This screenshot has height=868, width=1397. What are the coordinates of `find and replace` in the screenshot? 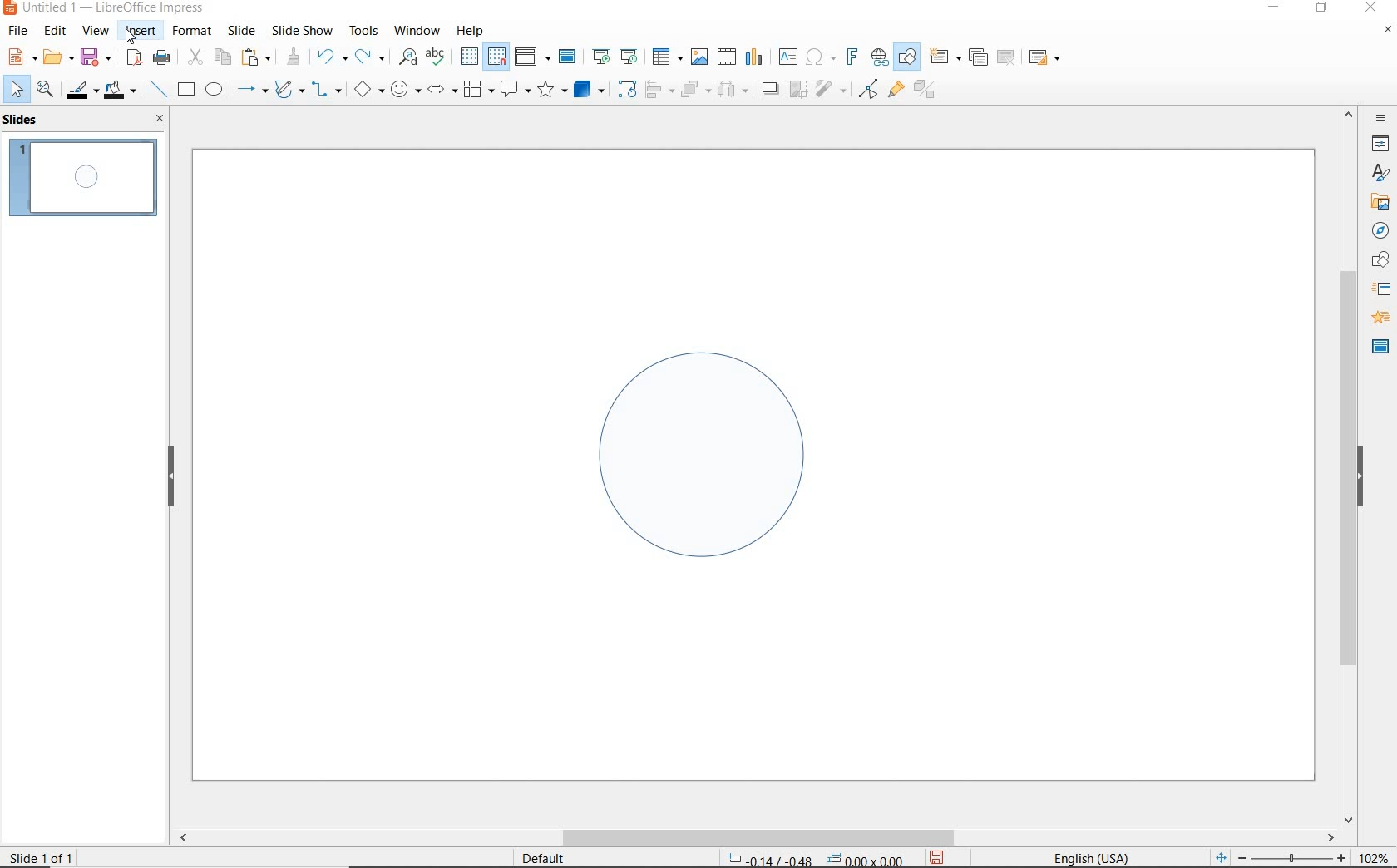 It's located at (407, 57).